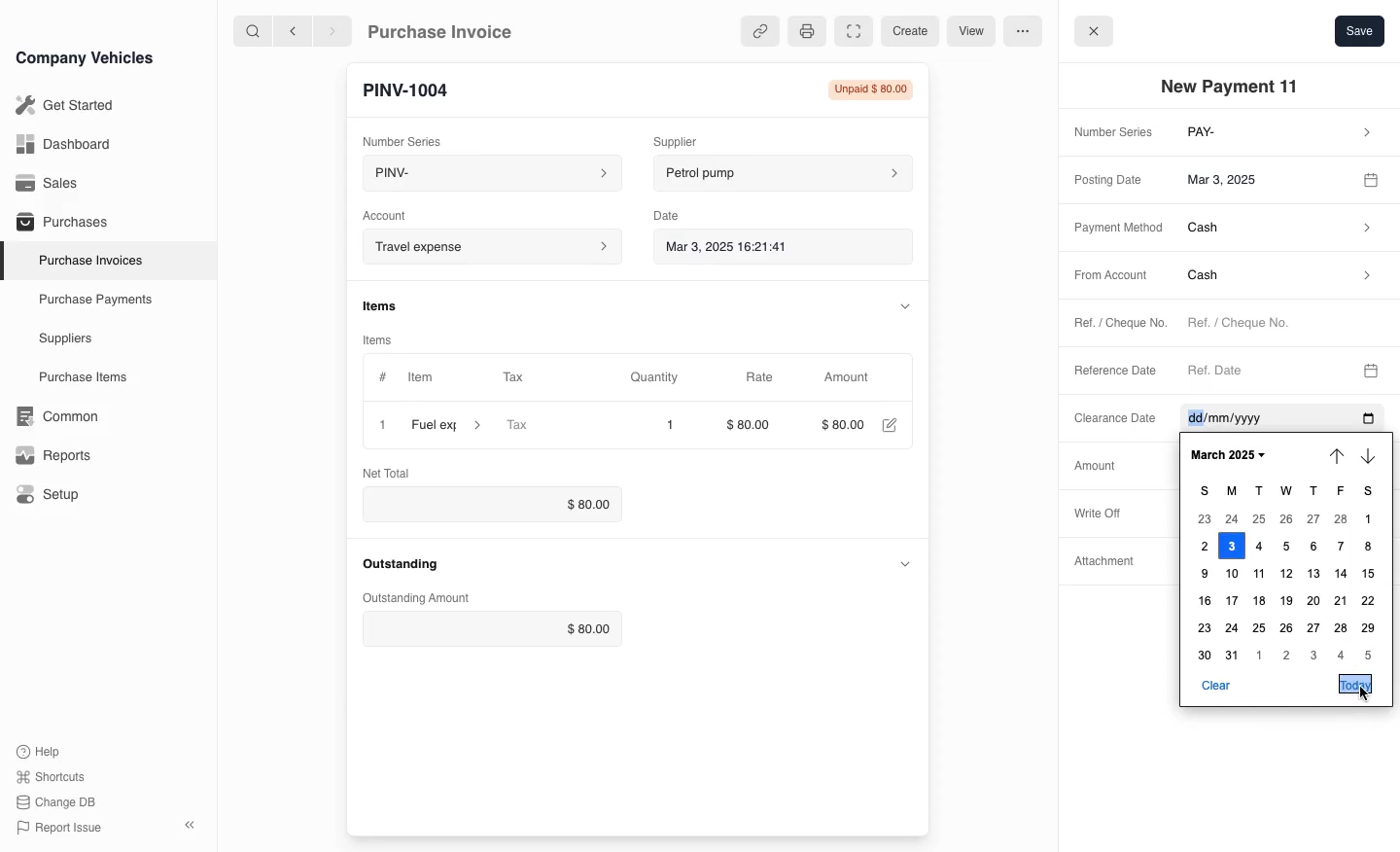  Describe the element at coordinates (62, 144) in the screenshot. I see `Dashboard` at that location.